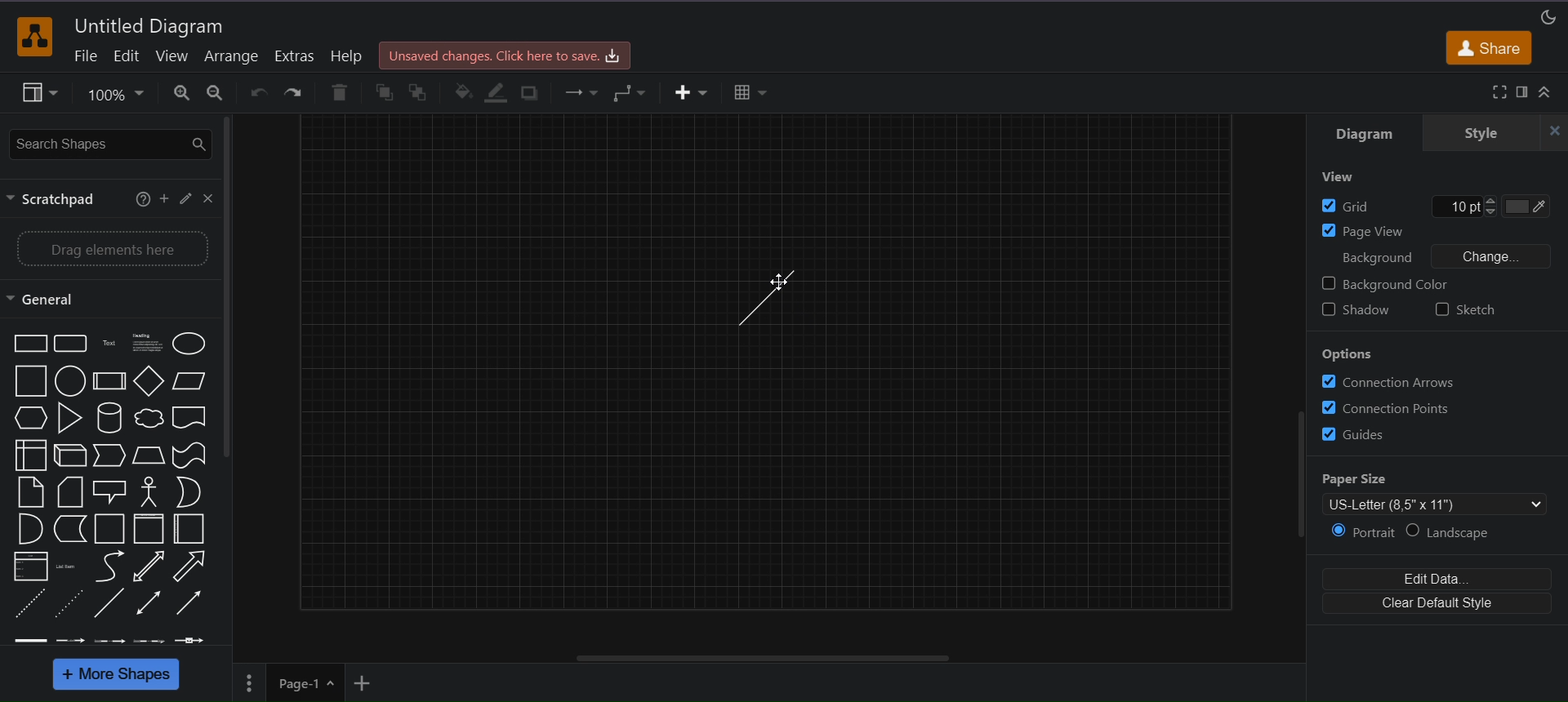 Image resolution: width=1568 pixels, height=702 pixels. I want to click on add, so click(164, 199).